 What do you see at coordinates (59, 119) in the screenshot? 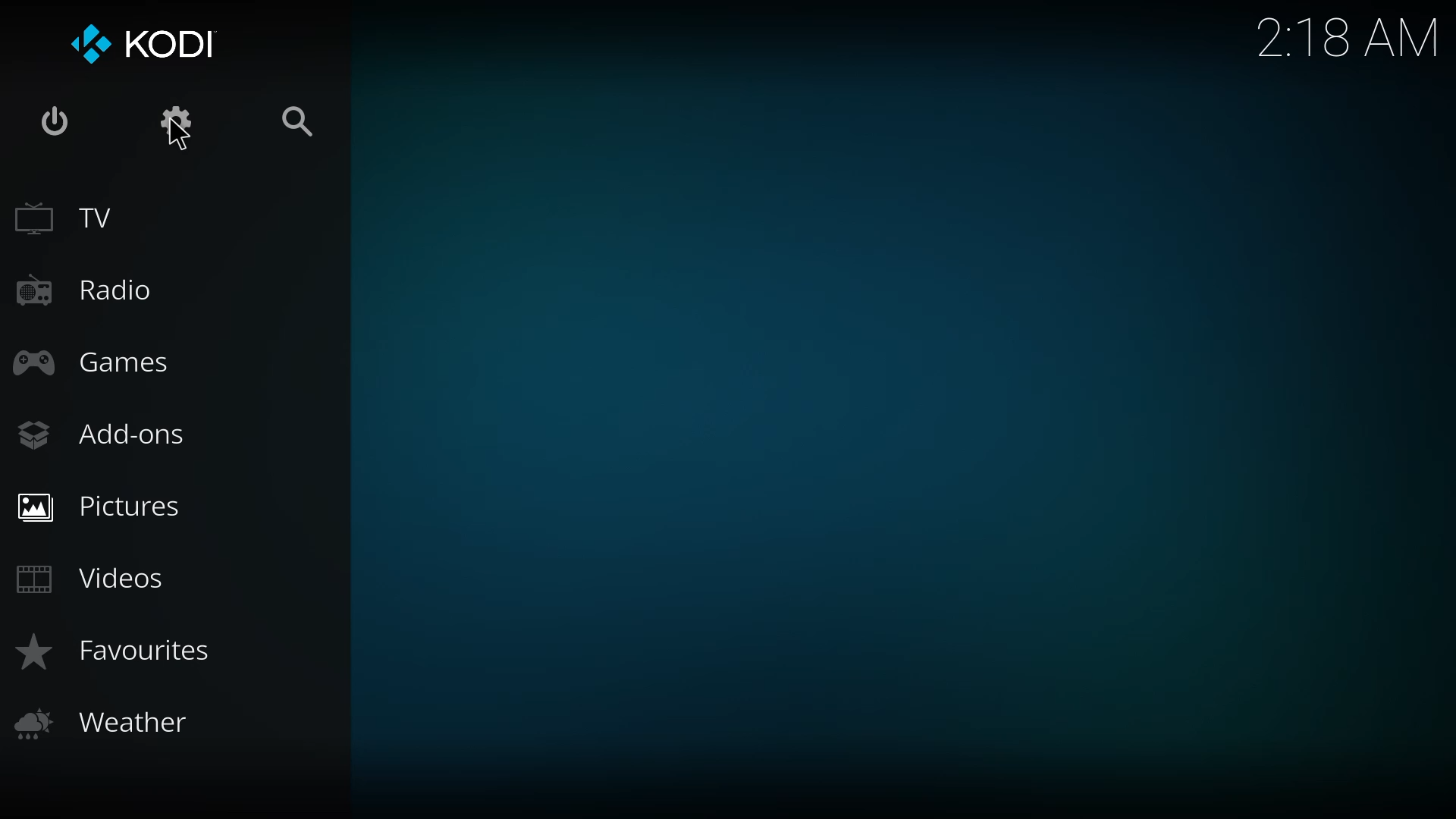
I see `power` at bounding box center [59, 119].